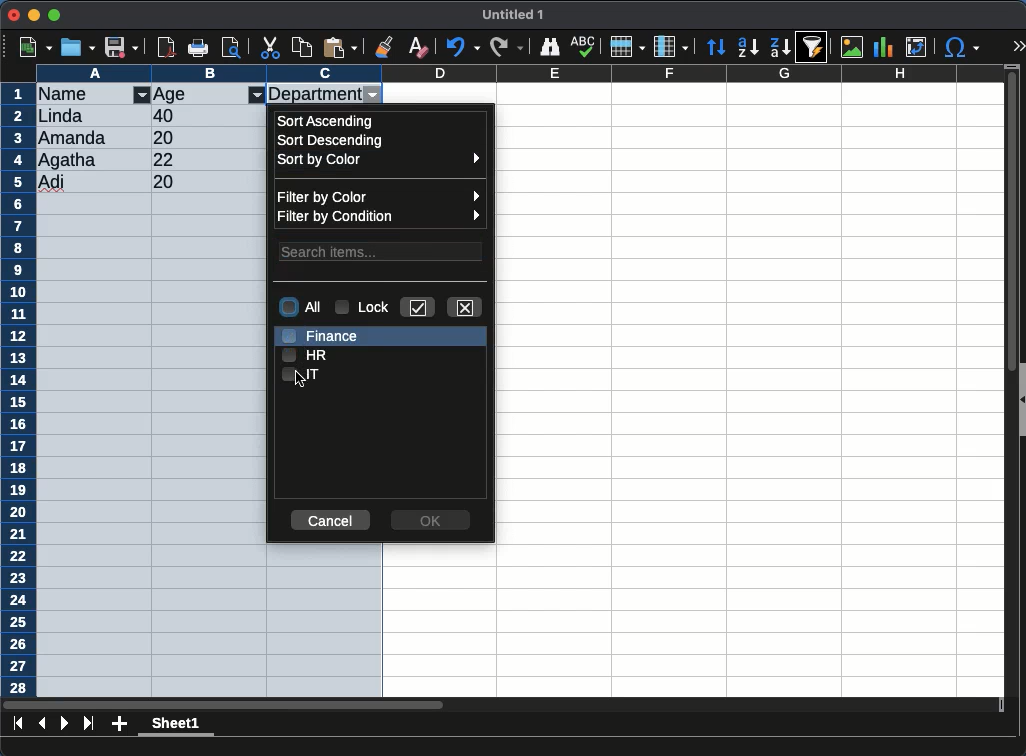  I want to click on rows, so click(18, 390).